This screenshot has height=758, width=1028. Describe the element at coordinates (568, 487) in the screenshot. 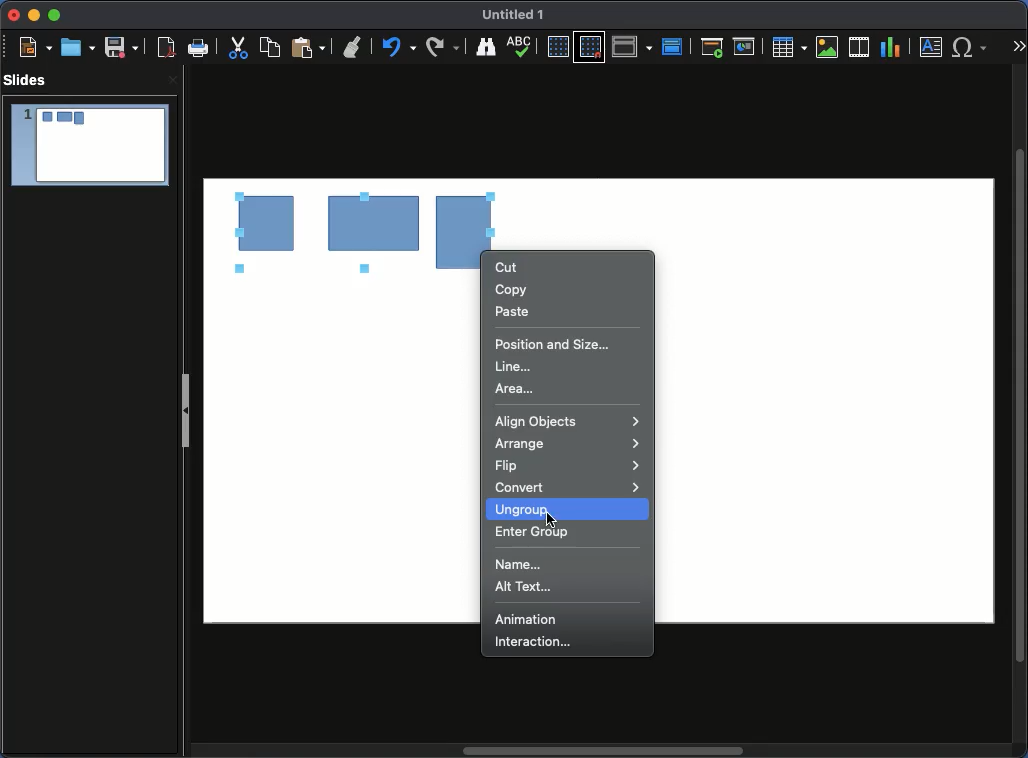

I see `Convert` at that location.